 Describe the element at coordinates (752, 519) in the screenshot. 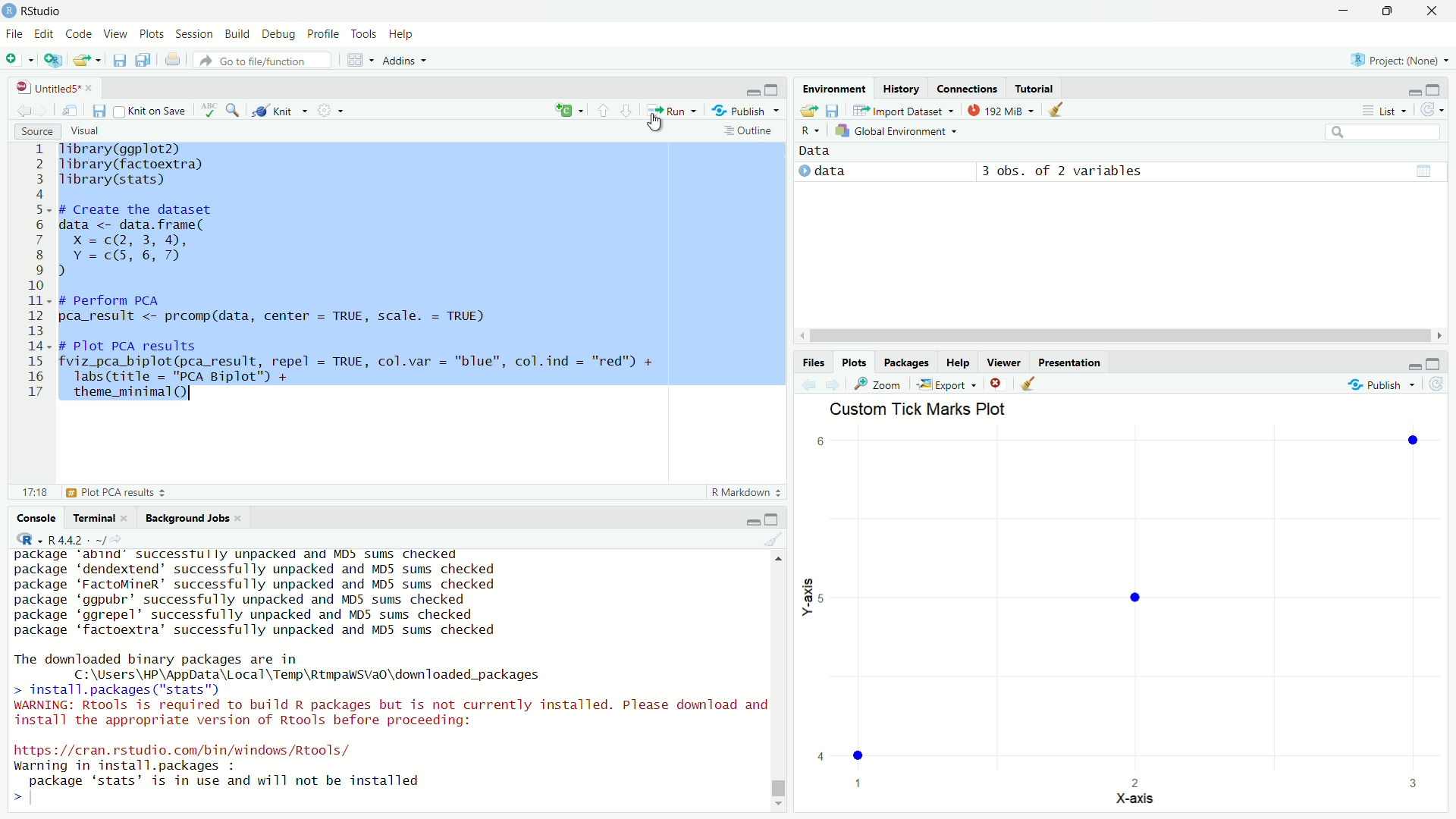

I see `minimize` at that location.